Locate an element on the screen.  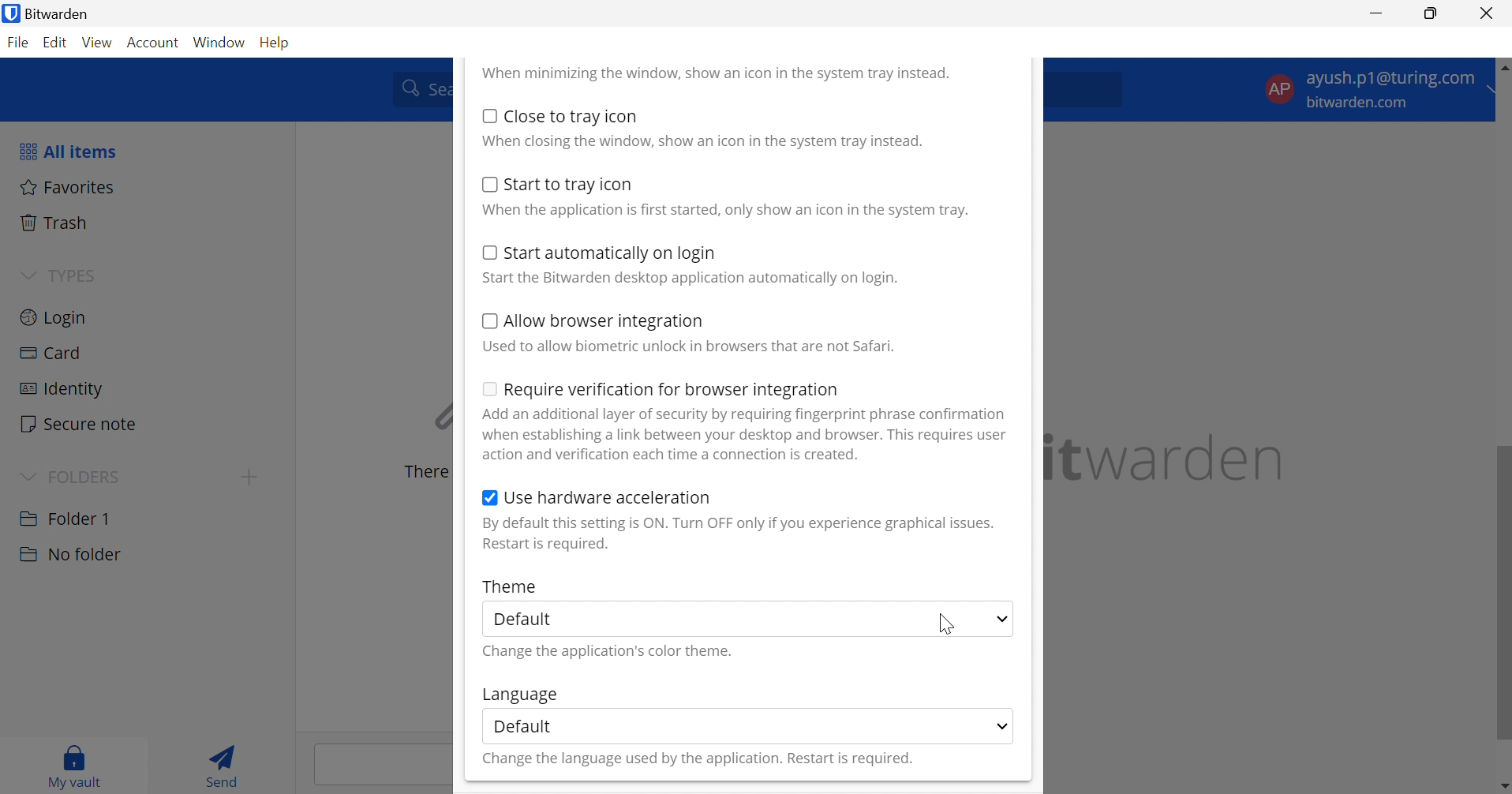
Drop Down is located at coordinates (1003, 725).